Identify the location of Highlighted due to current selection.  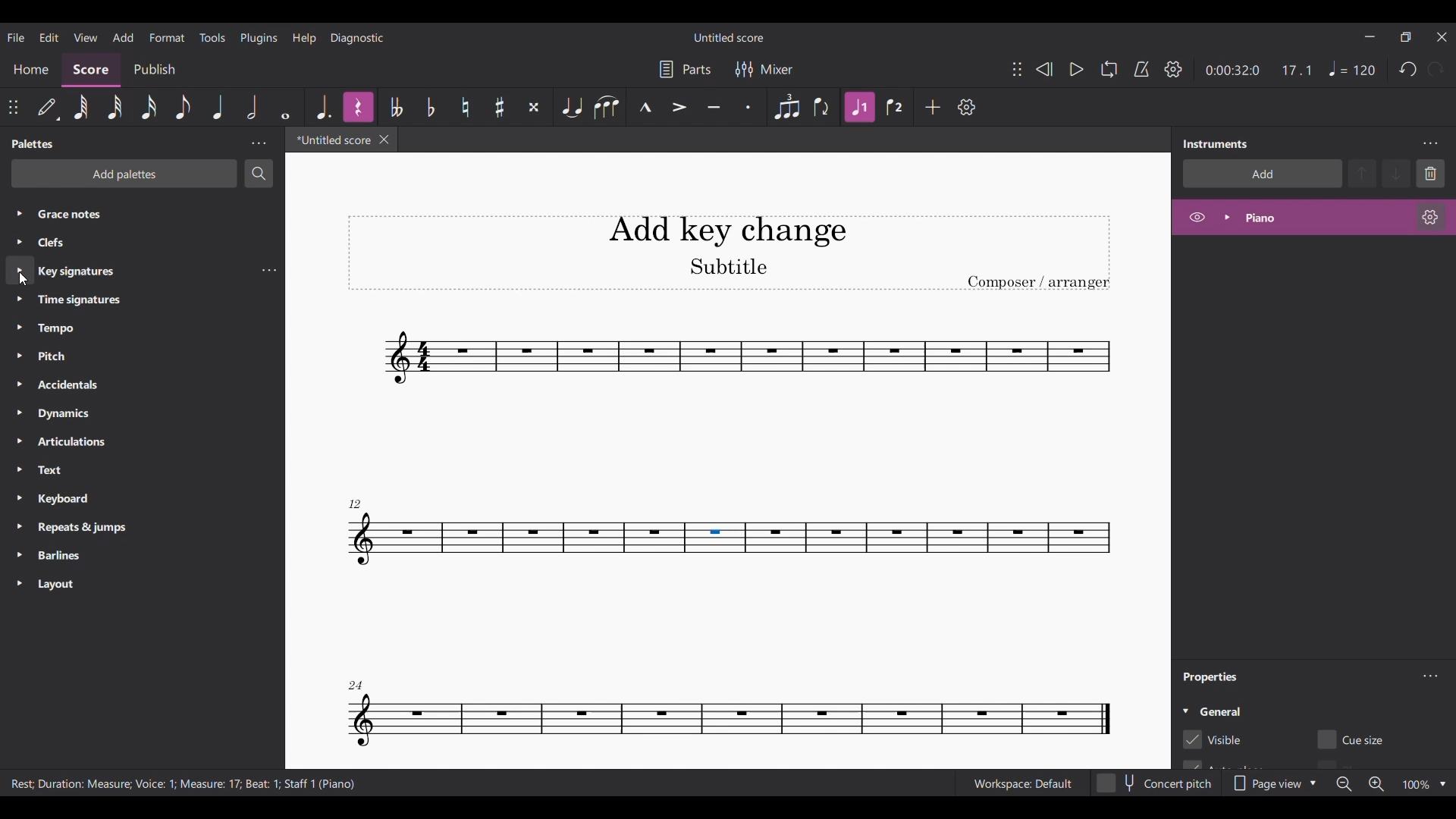
(860, 107).